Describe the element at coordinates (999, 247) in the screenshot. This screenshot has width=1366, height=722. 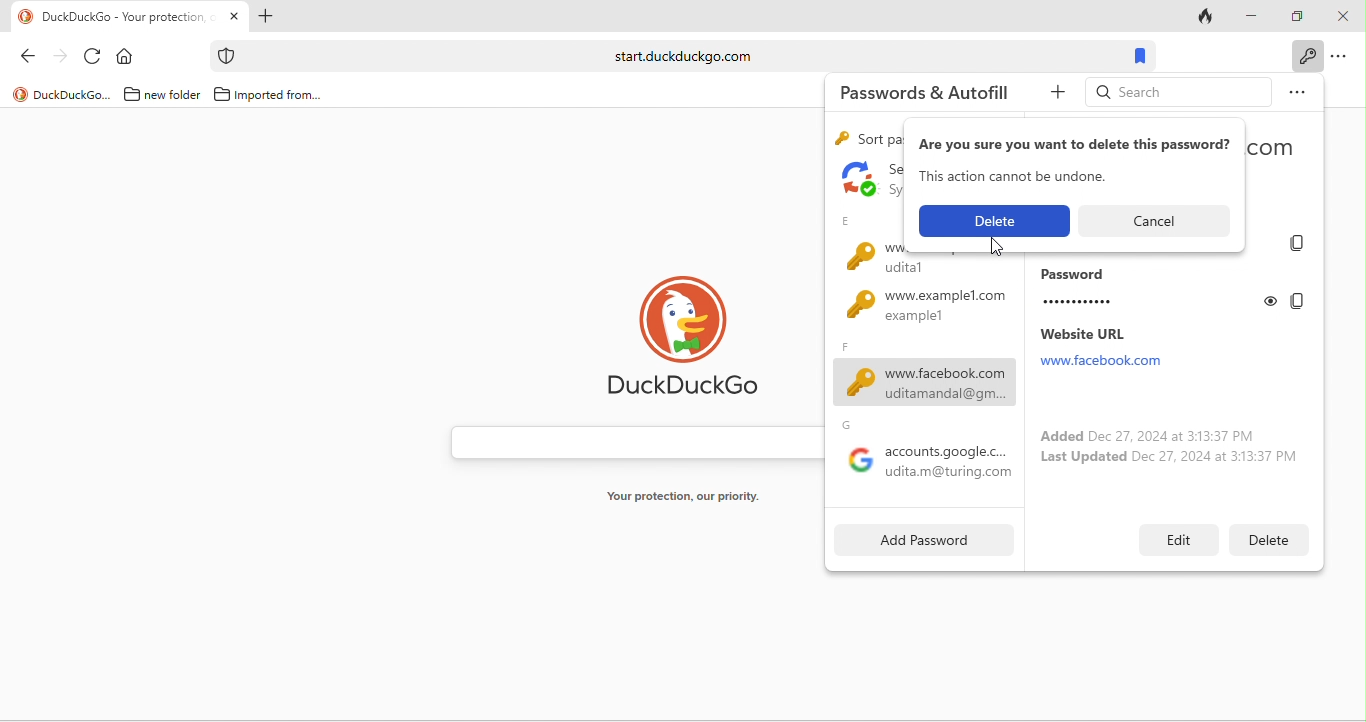
I see `cursor` at that location.